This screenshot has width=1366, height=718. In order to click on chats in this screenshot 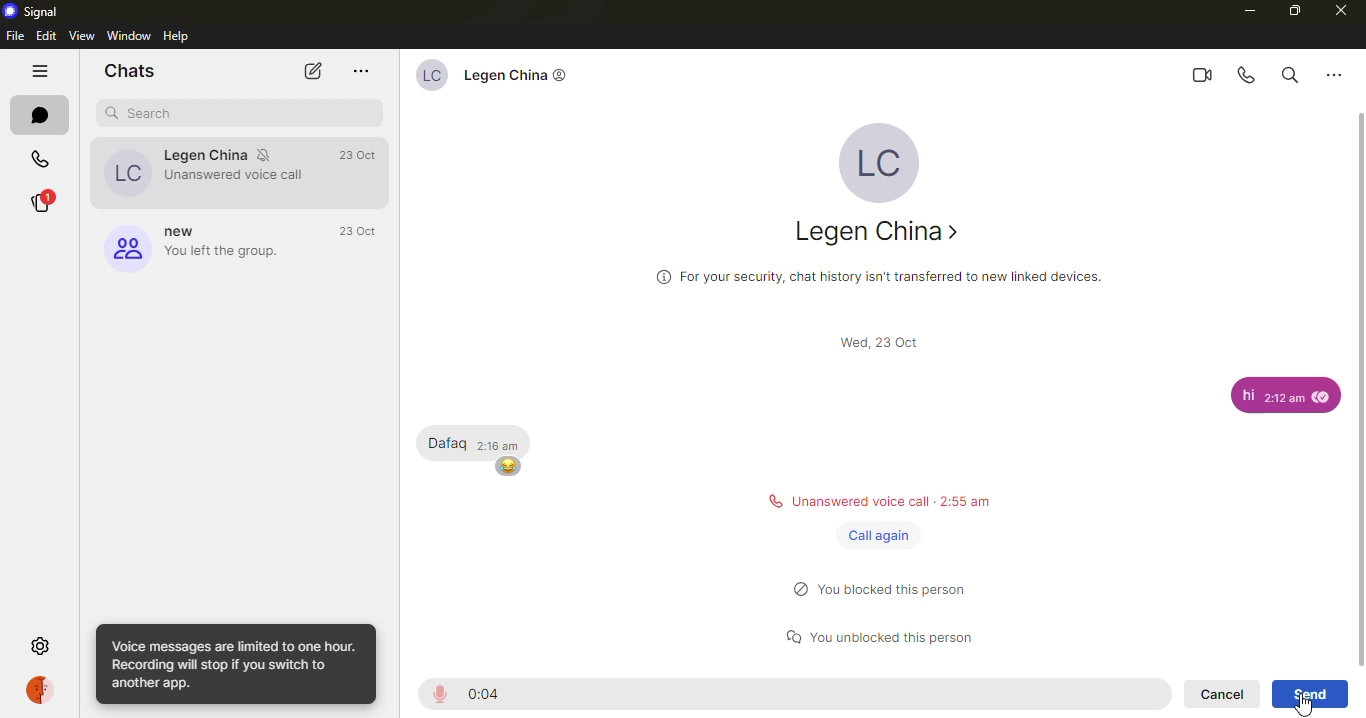, I will do `click(47, 117)`.